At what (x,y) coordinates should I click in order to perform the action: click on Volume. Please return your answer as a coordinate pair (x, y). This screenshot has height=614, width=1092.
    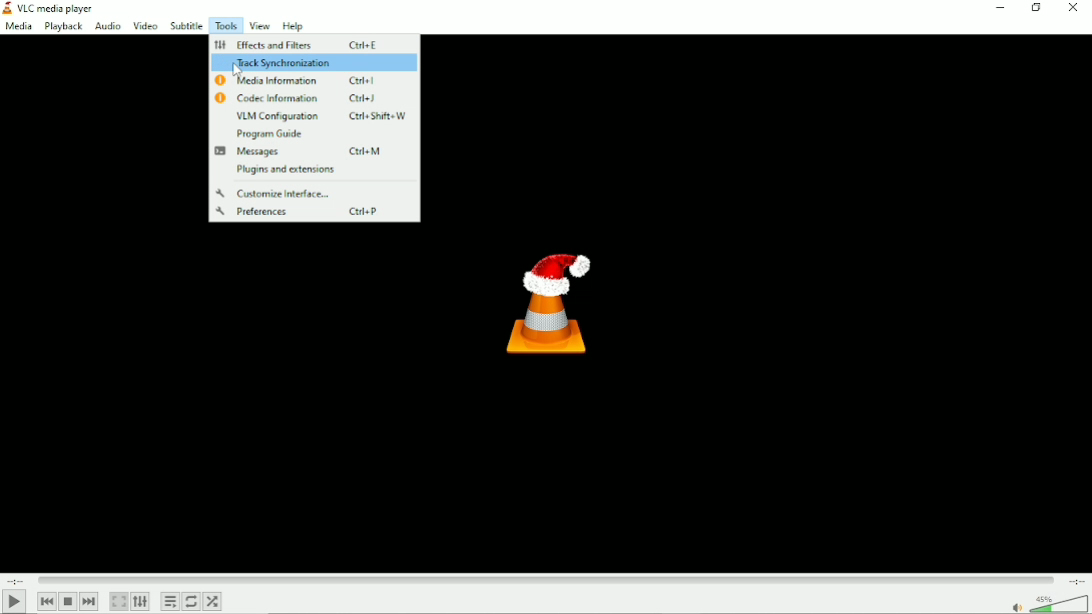
    Looking at the image, I should click on (1047, 602).